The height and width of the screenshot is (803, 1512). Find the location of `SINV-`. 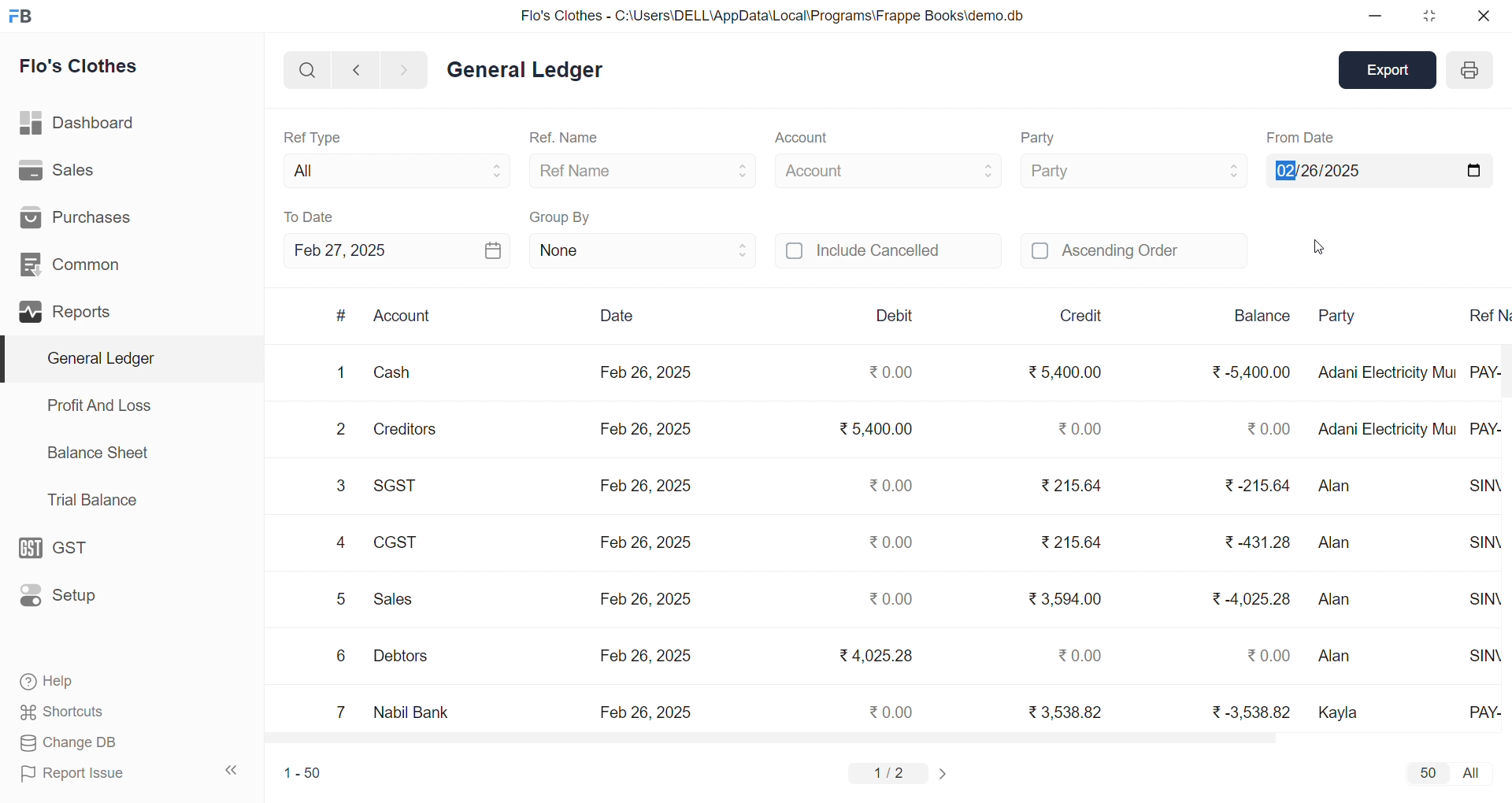

SINV- is located at coordinates (1484, 542).